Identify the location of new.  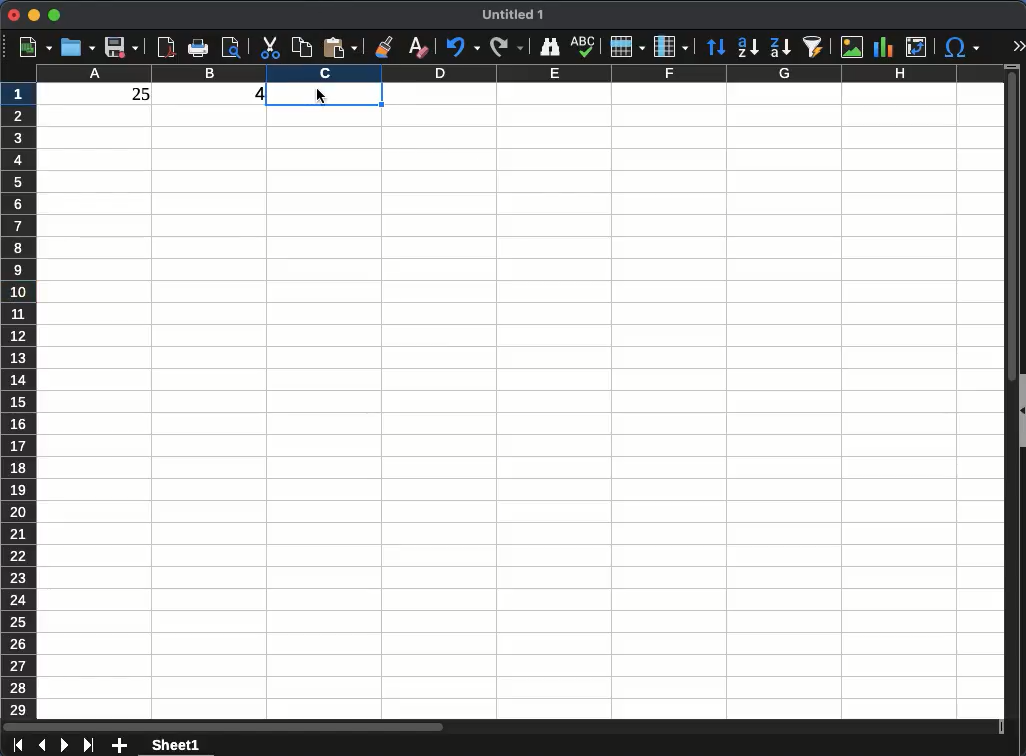
(34, 48).